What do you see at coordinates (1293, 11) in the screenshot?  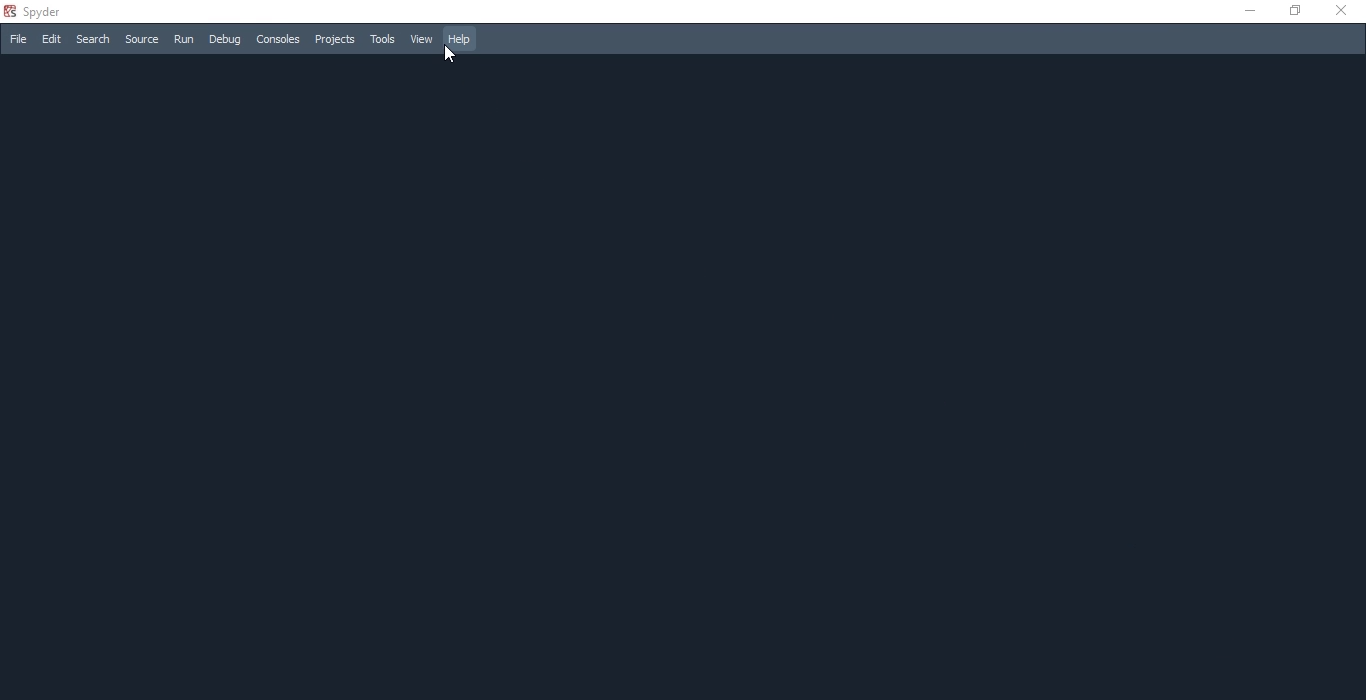 I see `restore` at bounding box center [1293, 11].